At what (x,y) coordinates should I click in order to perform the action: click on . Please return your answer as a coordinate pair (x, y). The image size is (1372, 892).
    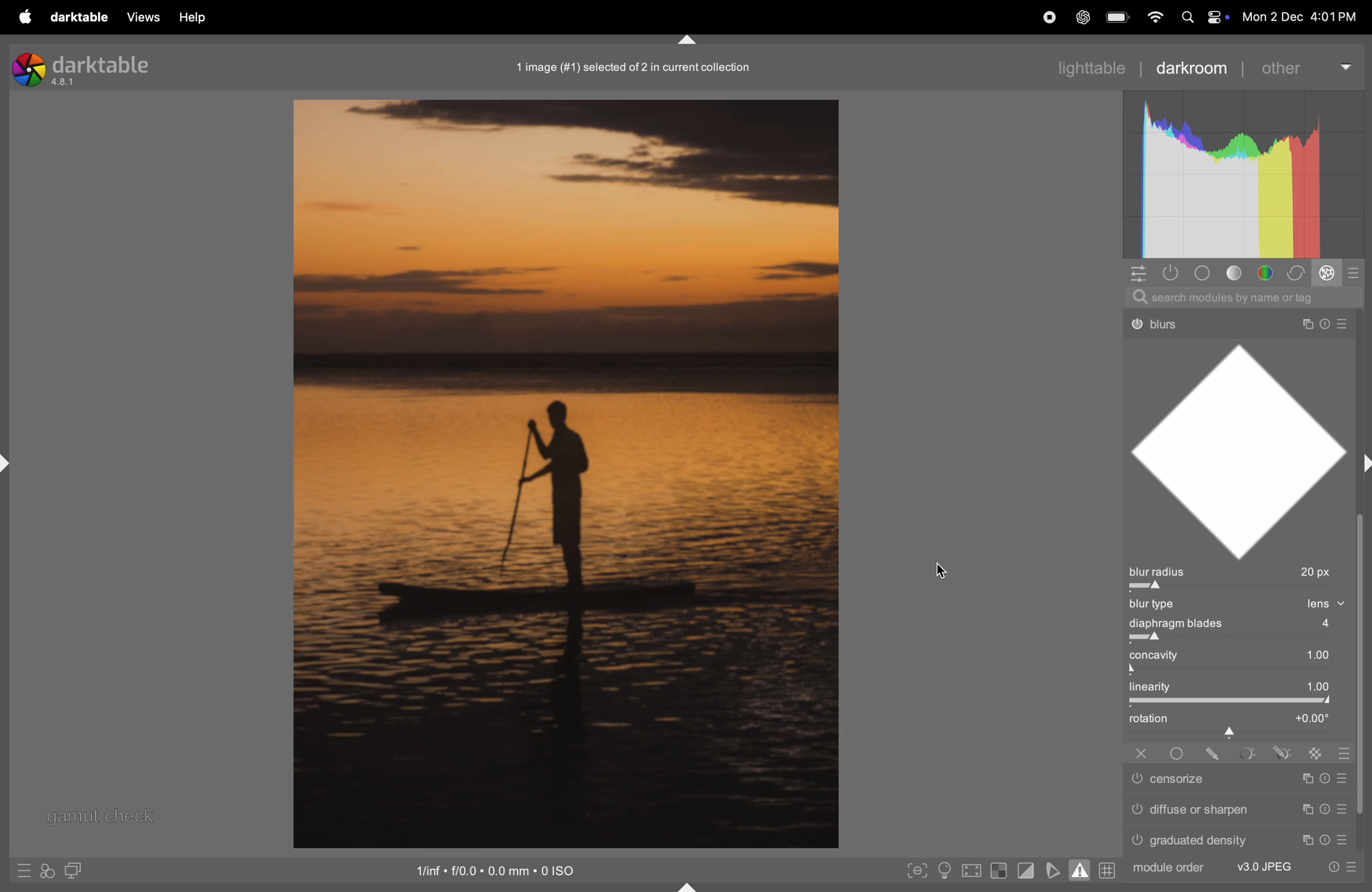
    Looking at the image, I should click on (1245, 868).